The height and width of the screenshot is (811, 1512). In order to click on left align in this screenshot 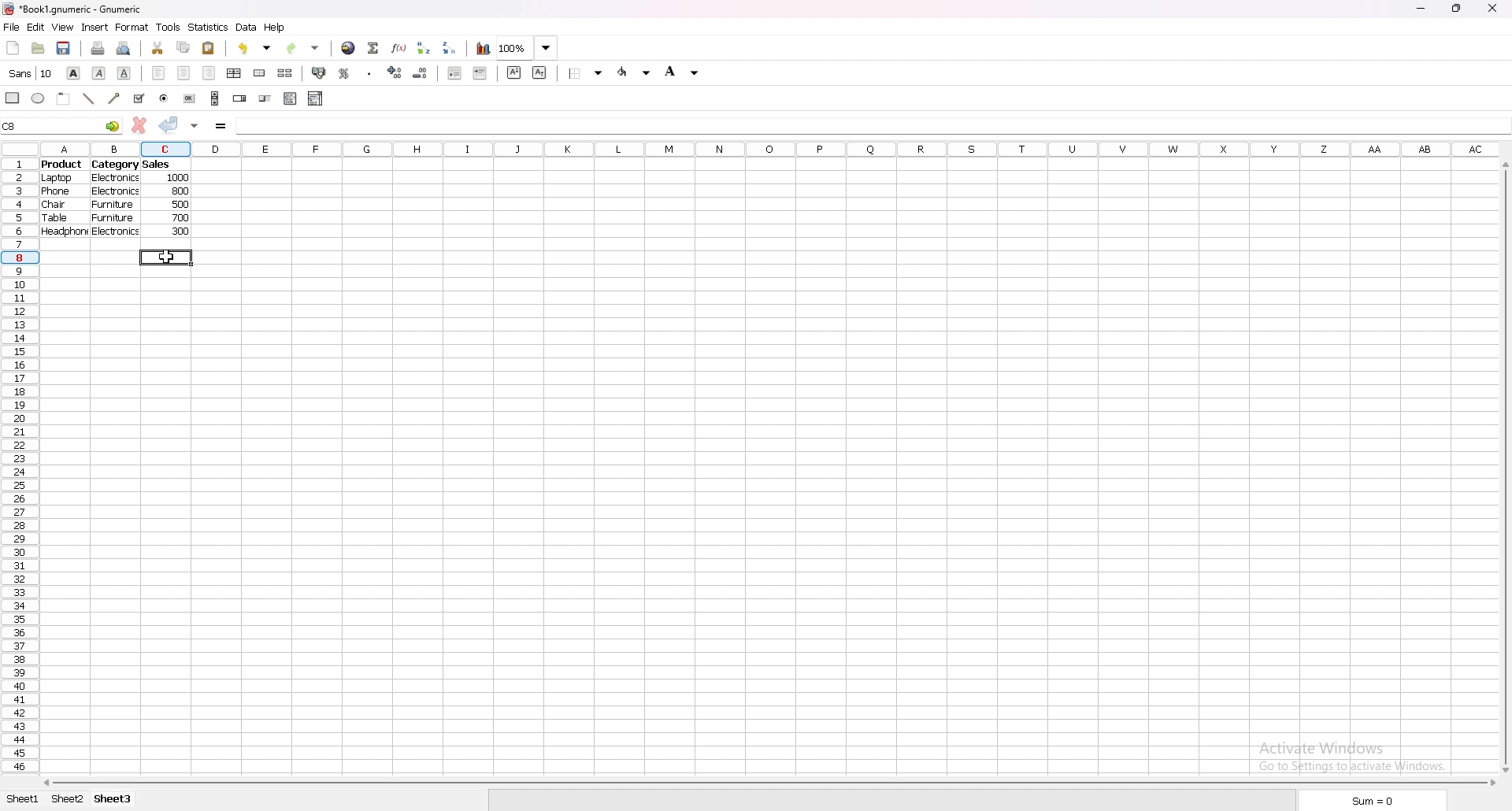, I will do `click(159, 73)`.